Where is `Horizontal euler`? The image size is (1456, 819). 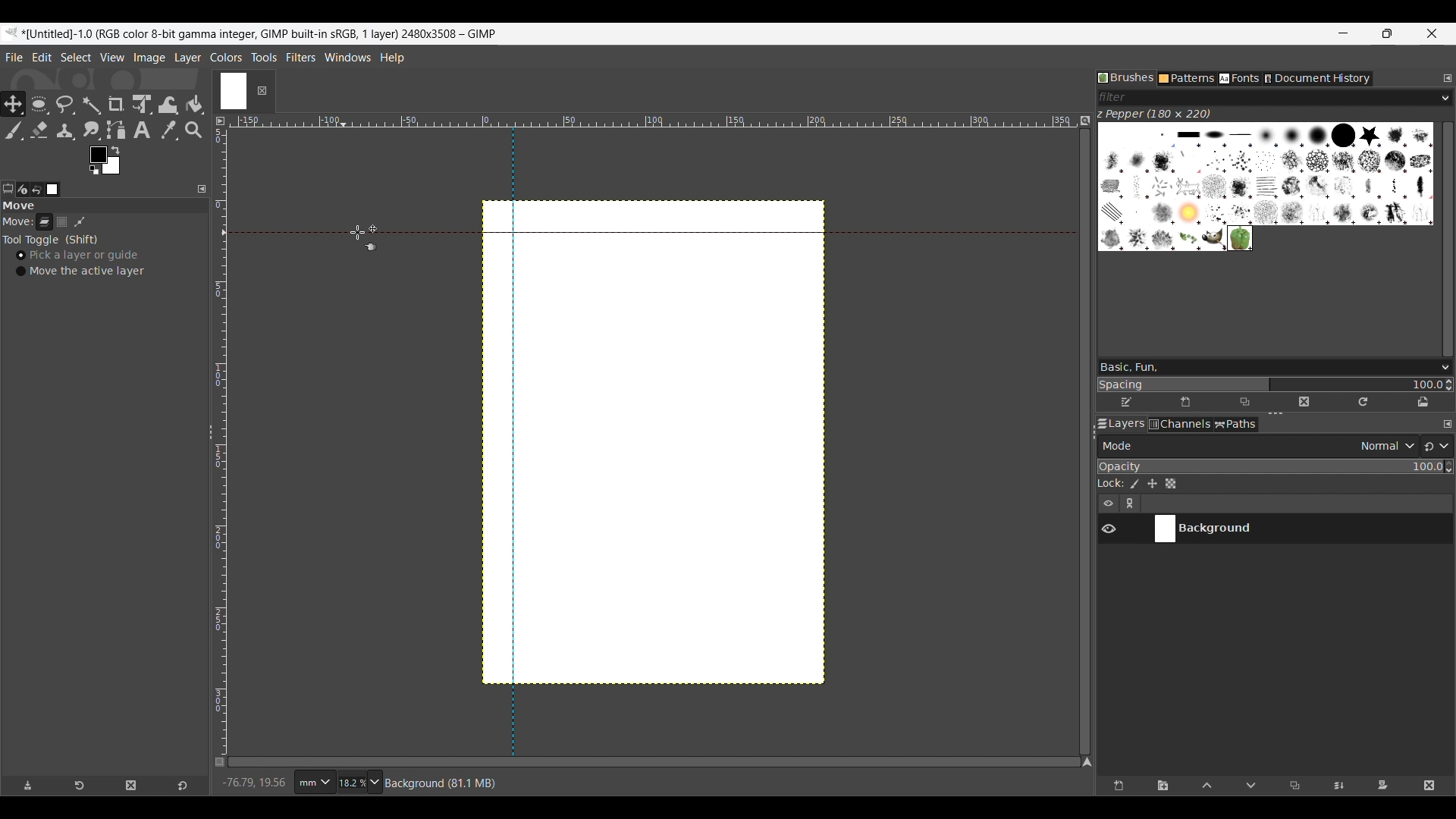 Horizontal euler is located at coordinates (648, 121).